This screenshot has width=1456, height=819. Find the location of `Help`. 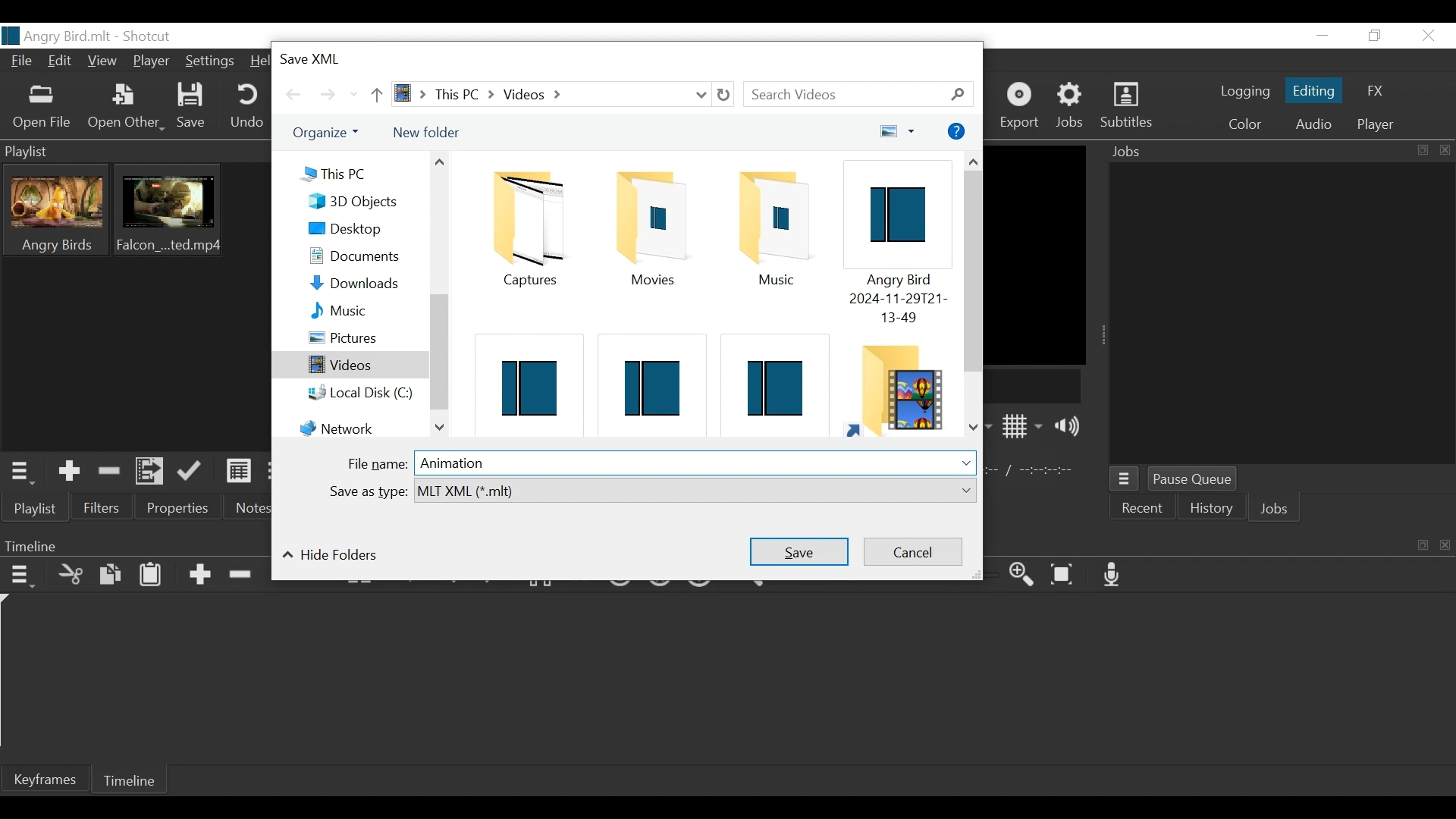

Help is located at coordinates (262, 61).